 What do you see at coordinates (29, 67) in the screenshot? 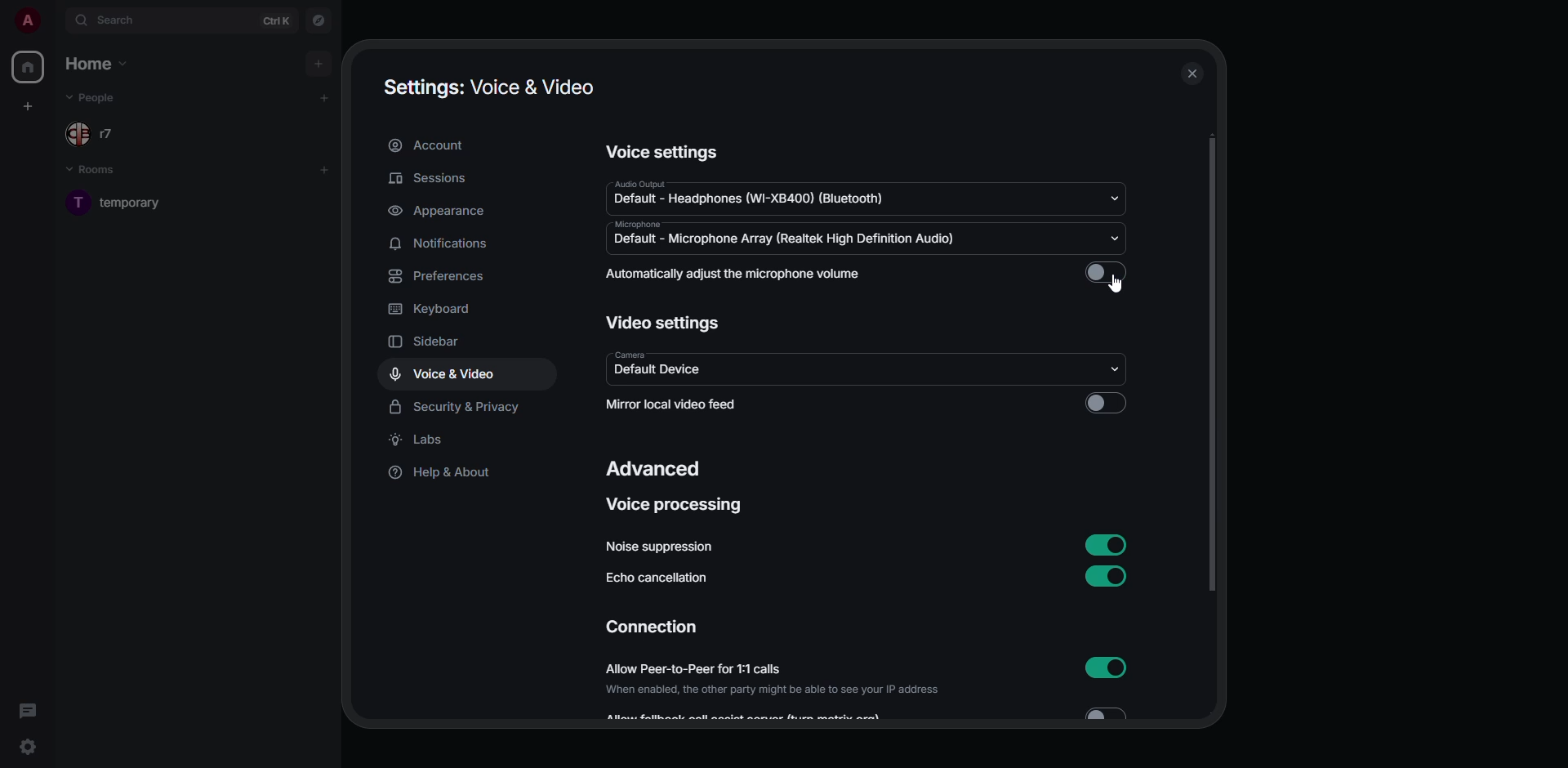
I see `home` at bounding box center [29, 67].